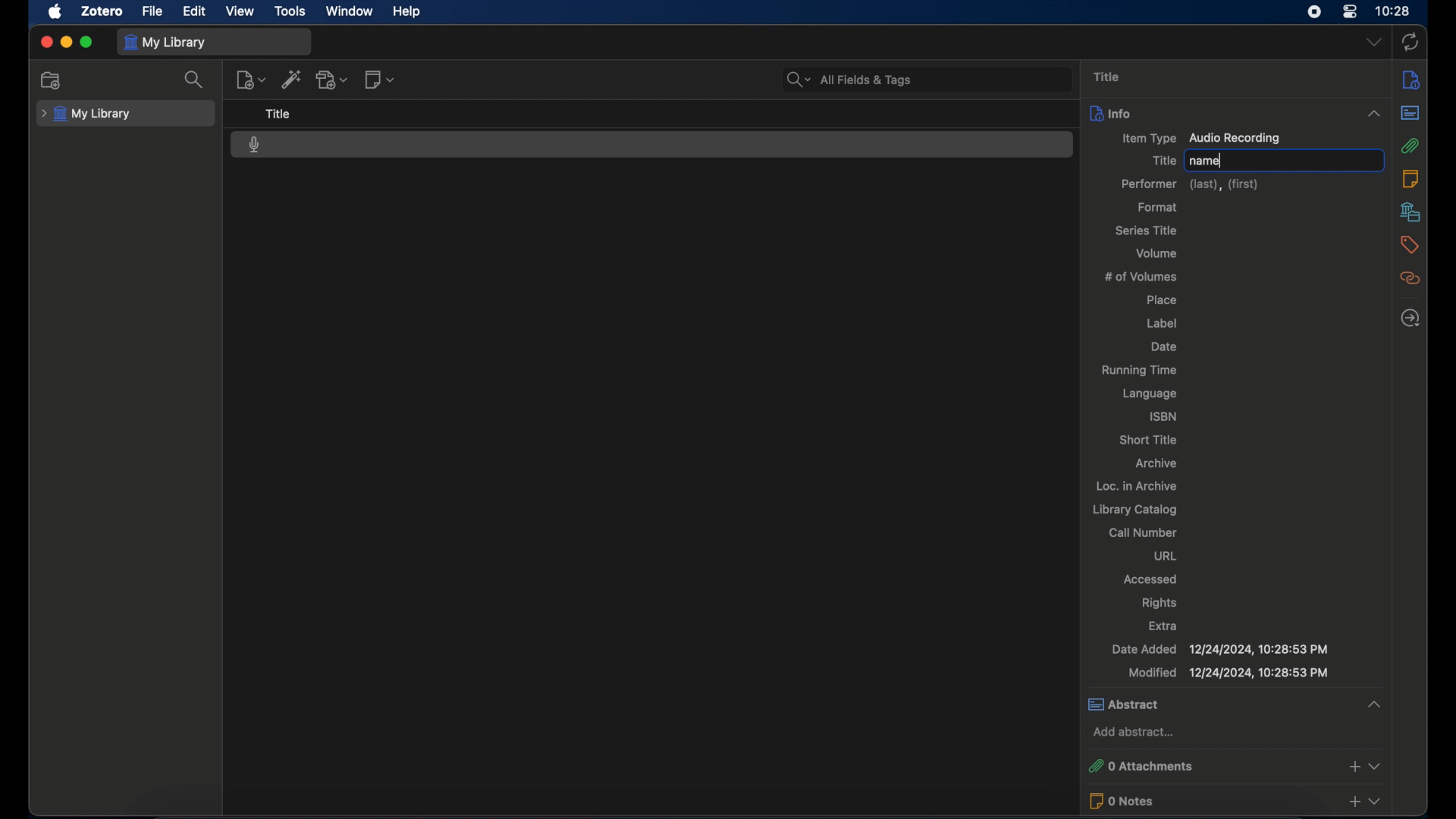  Describe the element at coordinates (406, 11) in the screenshot. I see `help` at that location.